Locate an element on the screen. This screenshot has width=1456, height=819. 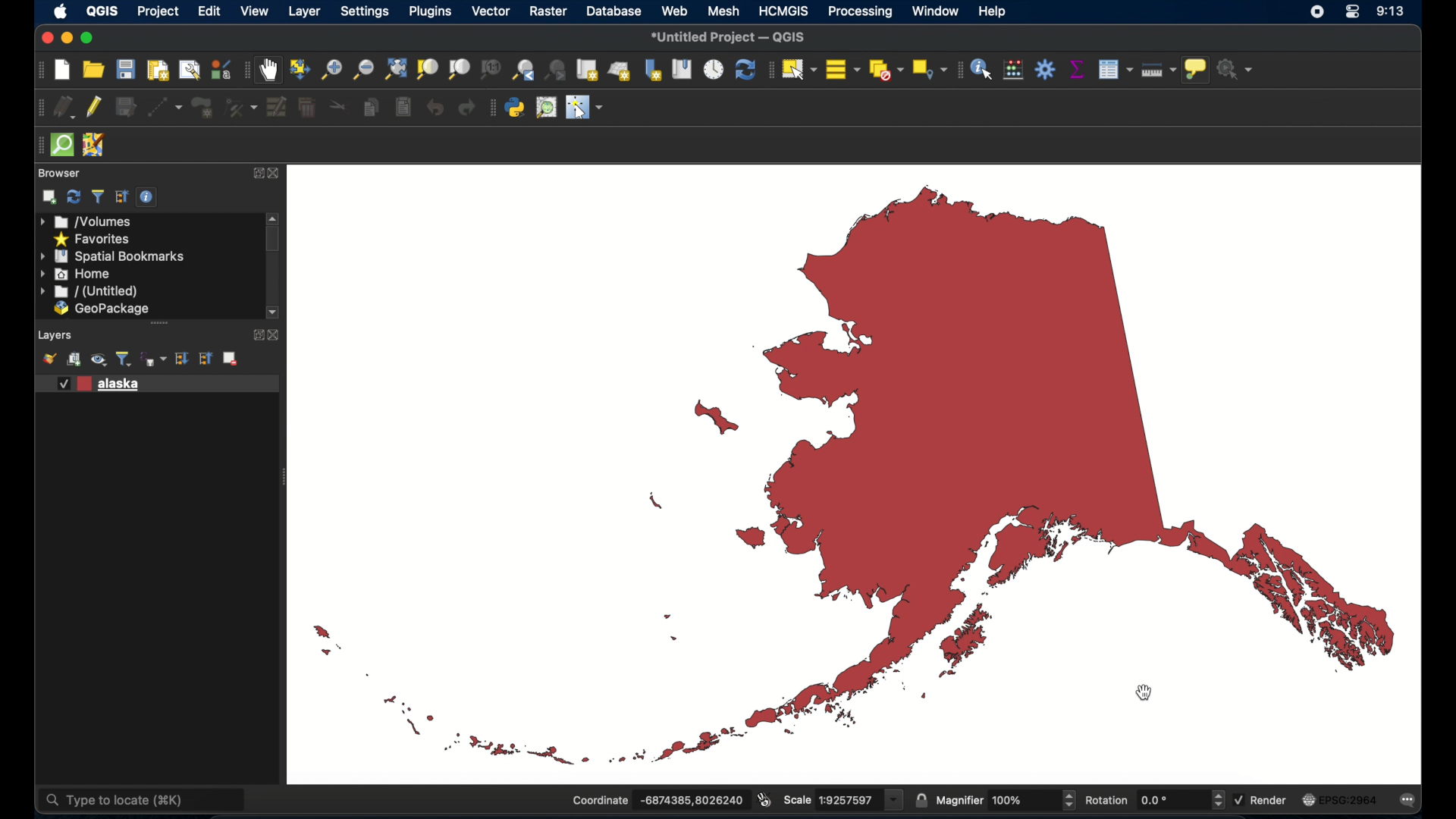
zoom full is located at coordinates (394, 70).